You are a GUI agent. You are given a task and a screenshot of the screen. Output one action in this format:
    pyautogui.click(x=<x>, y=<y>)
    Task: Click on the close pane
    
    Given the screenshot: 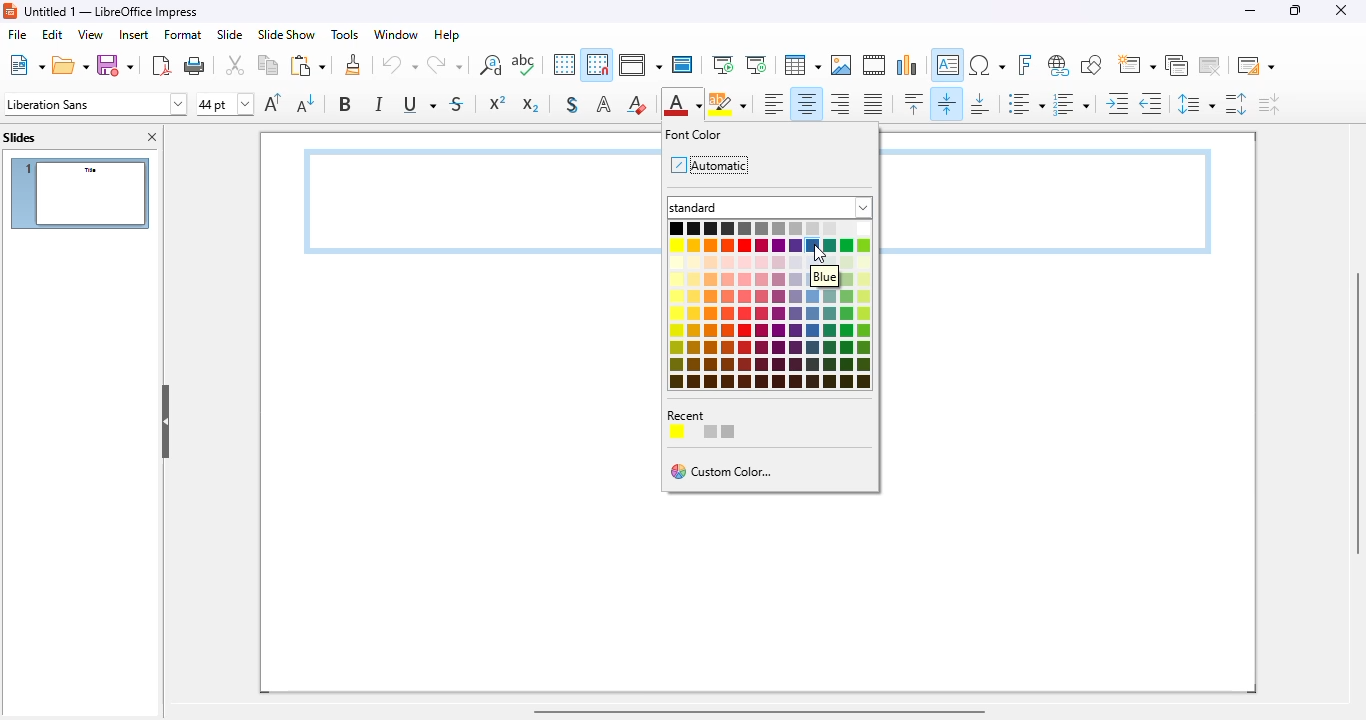 What is the action you would take?
    pyautogui.click(x=154, y=137)
    